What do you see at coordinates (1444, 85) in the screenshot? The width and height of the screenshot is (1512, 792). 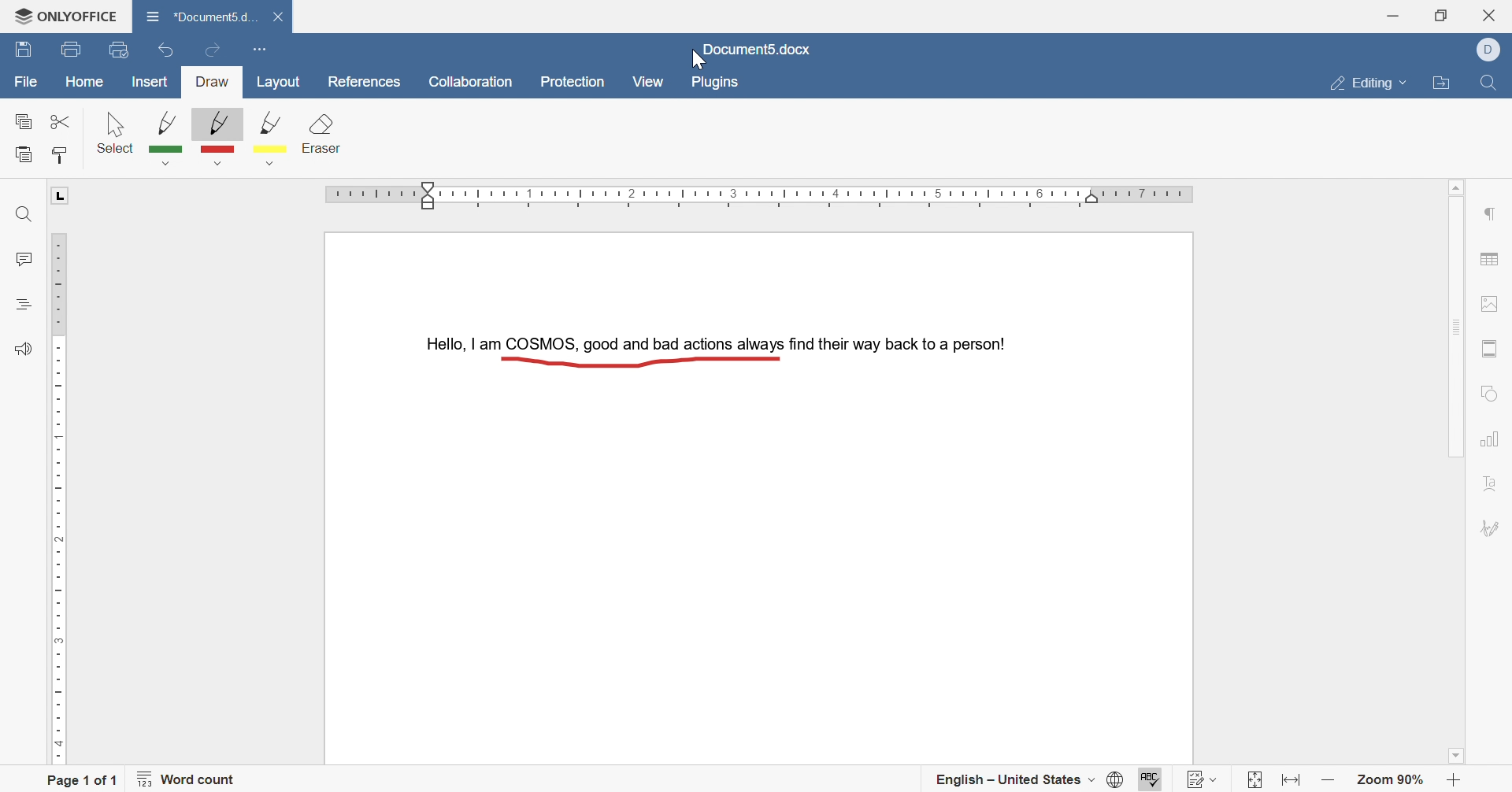 I see `open file location` at bounding box center [1444, 85].